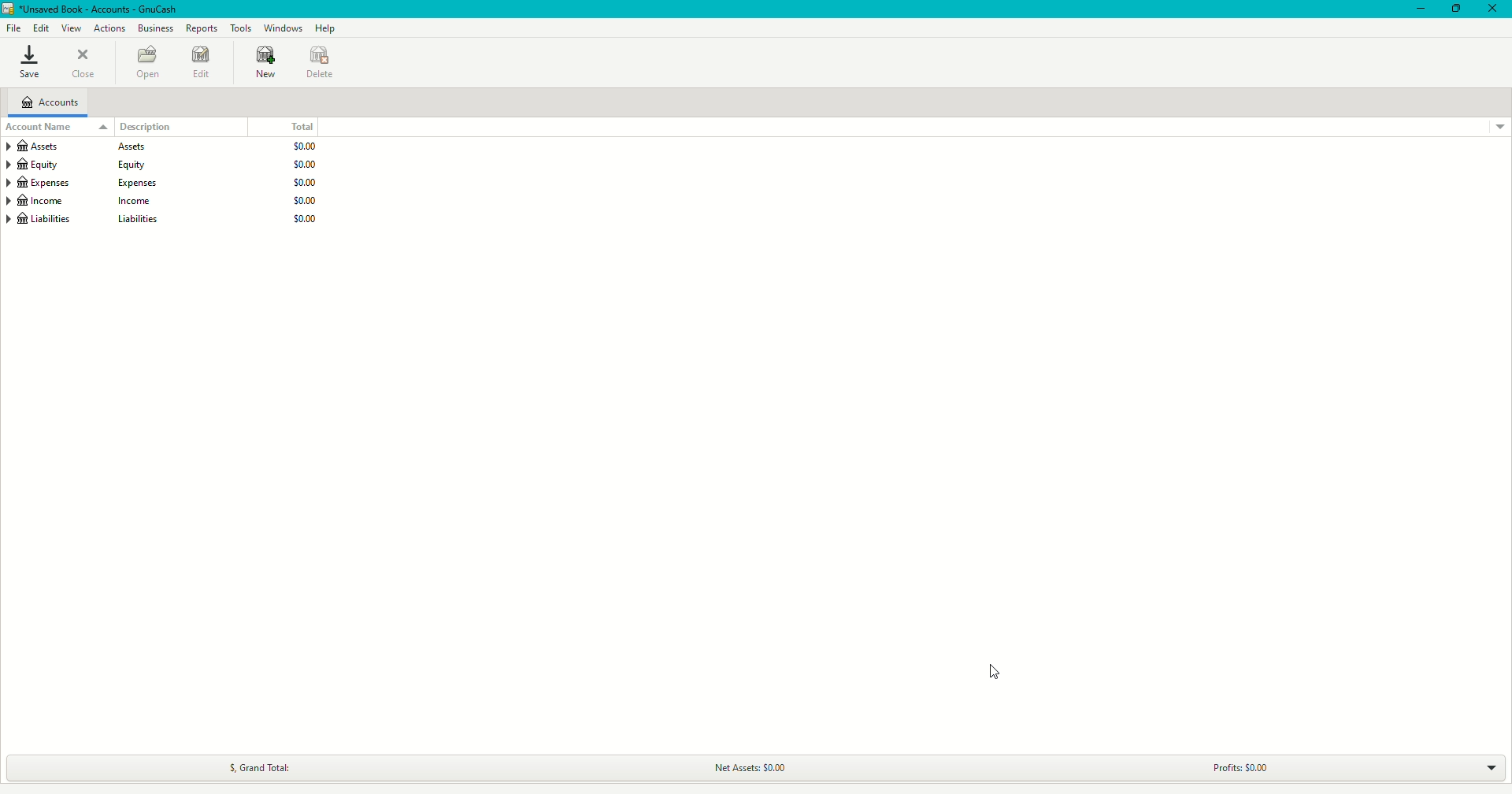 This screenshot has height=794, width=1512. Describe the element at coordinates (327, 28) in the screenshot. I see `Help` at that location.